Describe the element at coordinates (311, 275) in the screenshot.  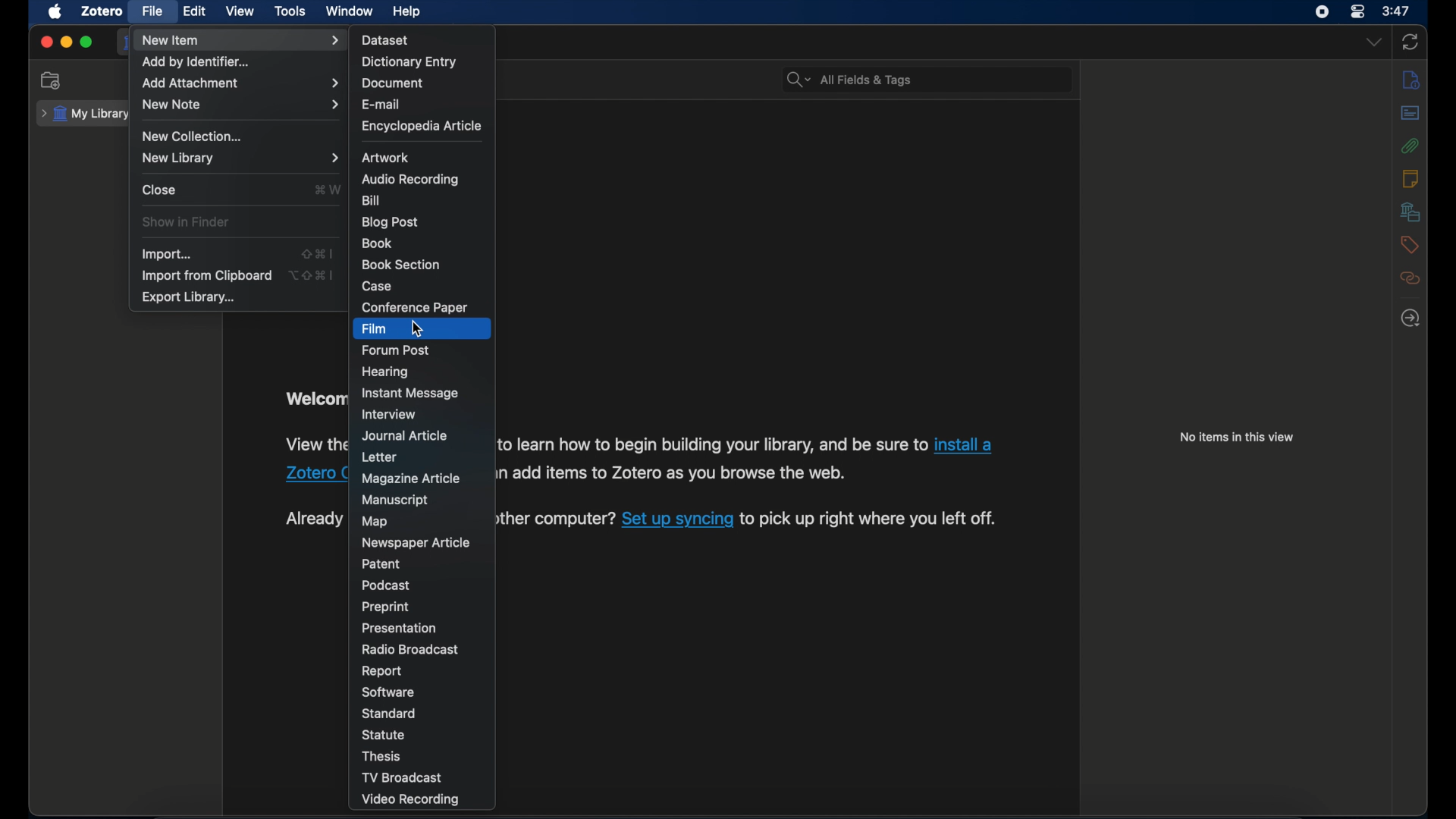
I see `shortcut` at that location.